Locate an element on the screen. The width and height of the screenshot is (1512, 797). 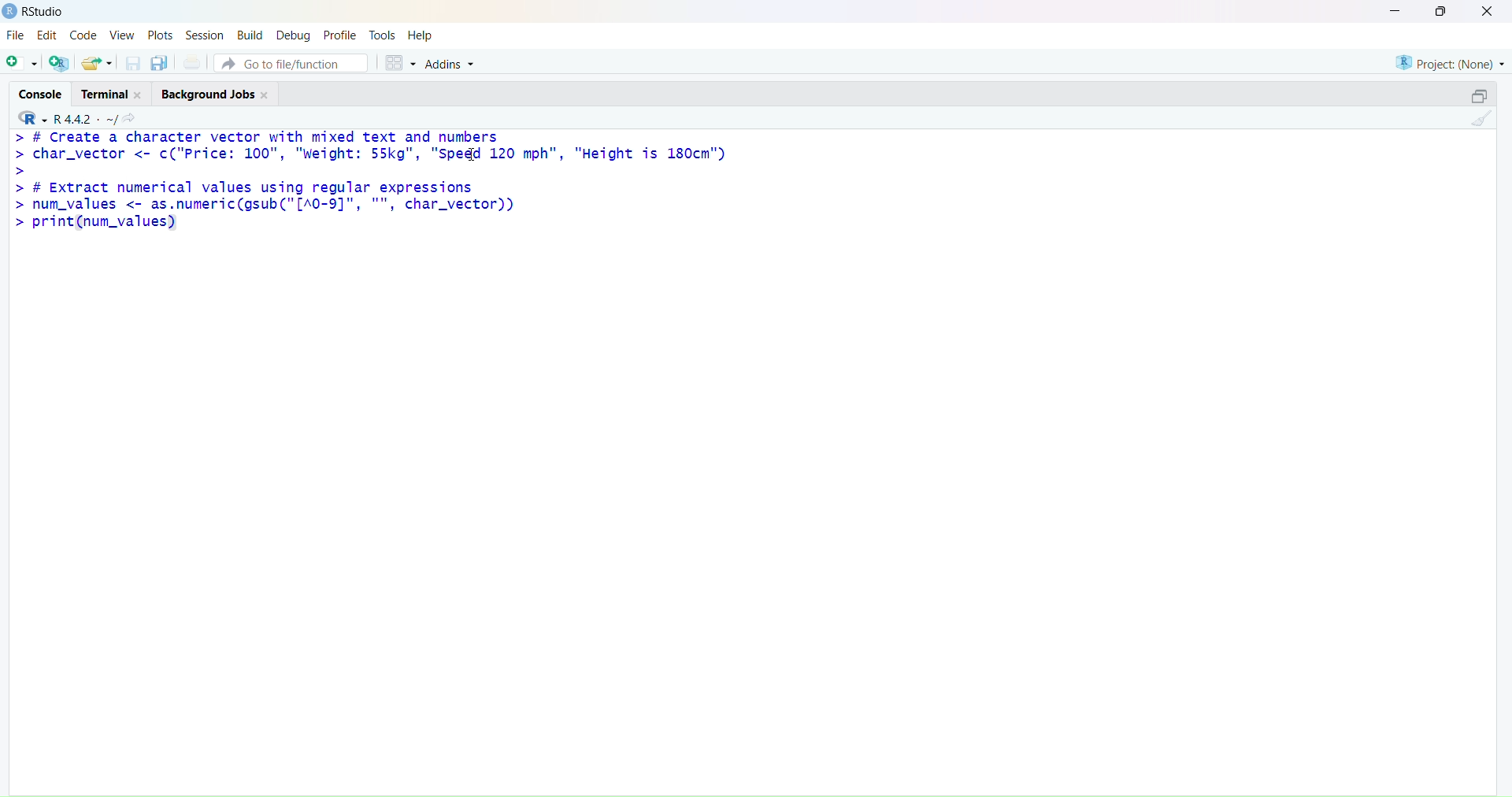
build is located at coordinates (252, 36).